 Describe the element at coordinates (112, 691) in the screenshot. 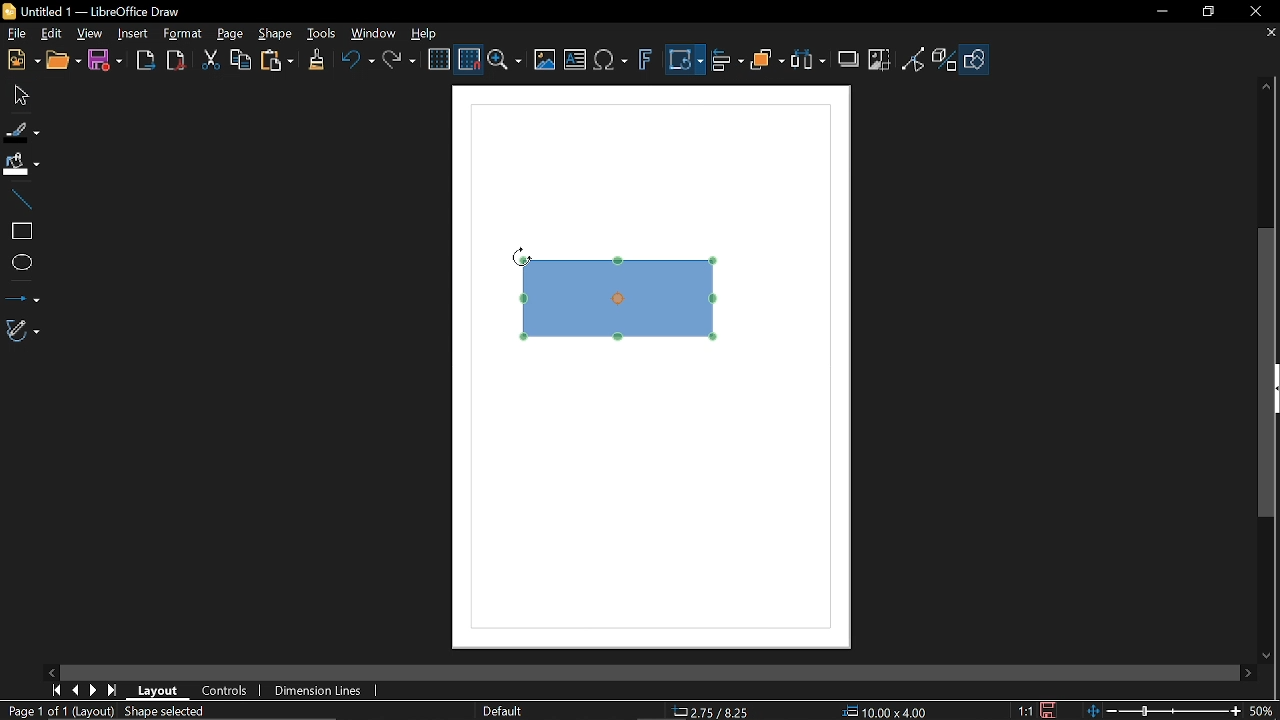

I see `Last page` at that location.